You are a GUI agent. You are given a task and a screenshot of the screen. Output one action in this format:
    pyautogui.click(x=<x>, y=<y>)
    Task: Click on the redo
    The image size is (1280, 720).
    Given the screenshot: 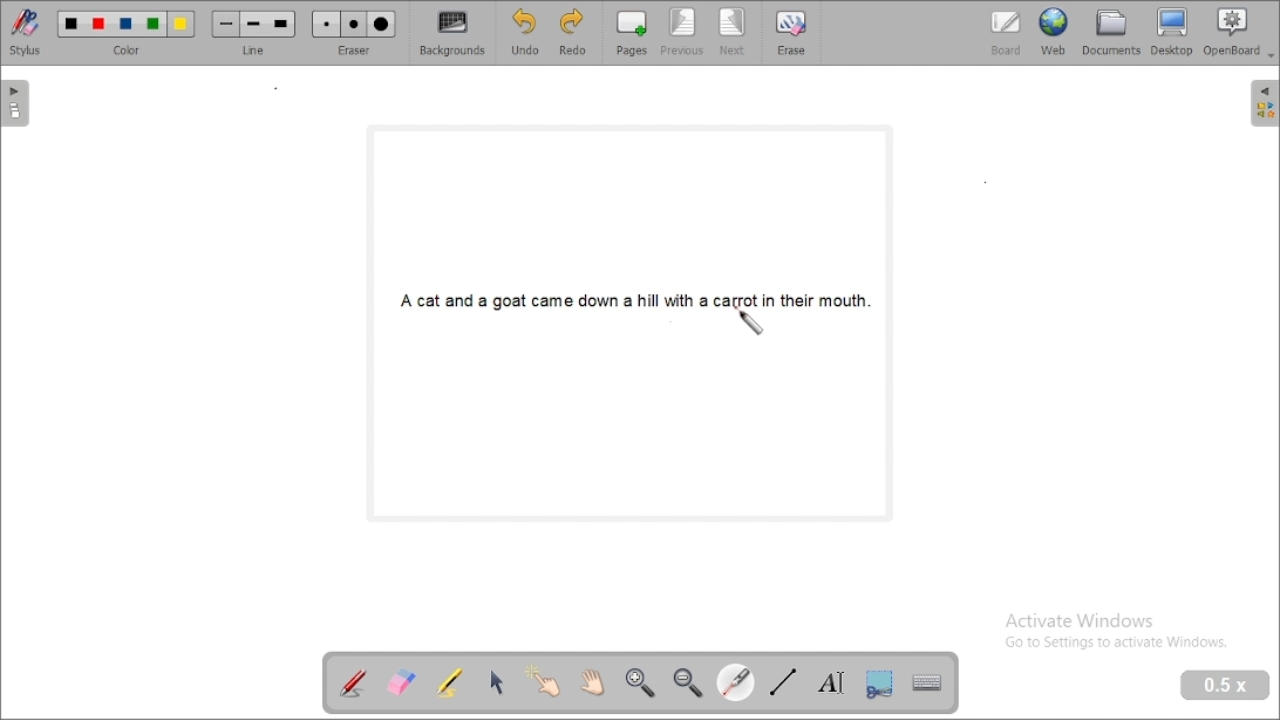 What is the action you would take?
    pyautogui.click(x=573, y=34)
    